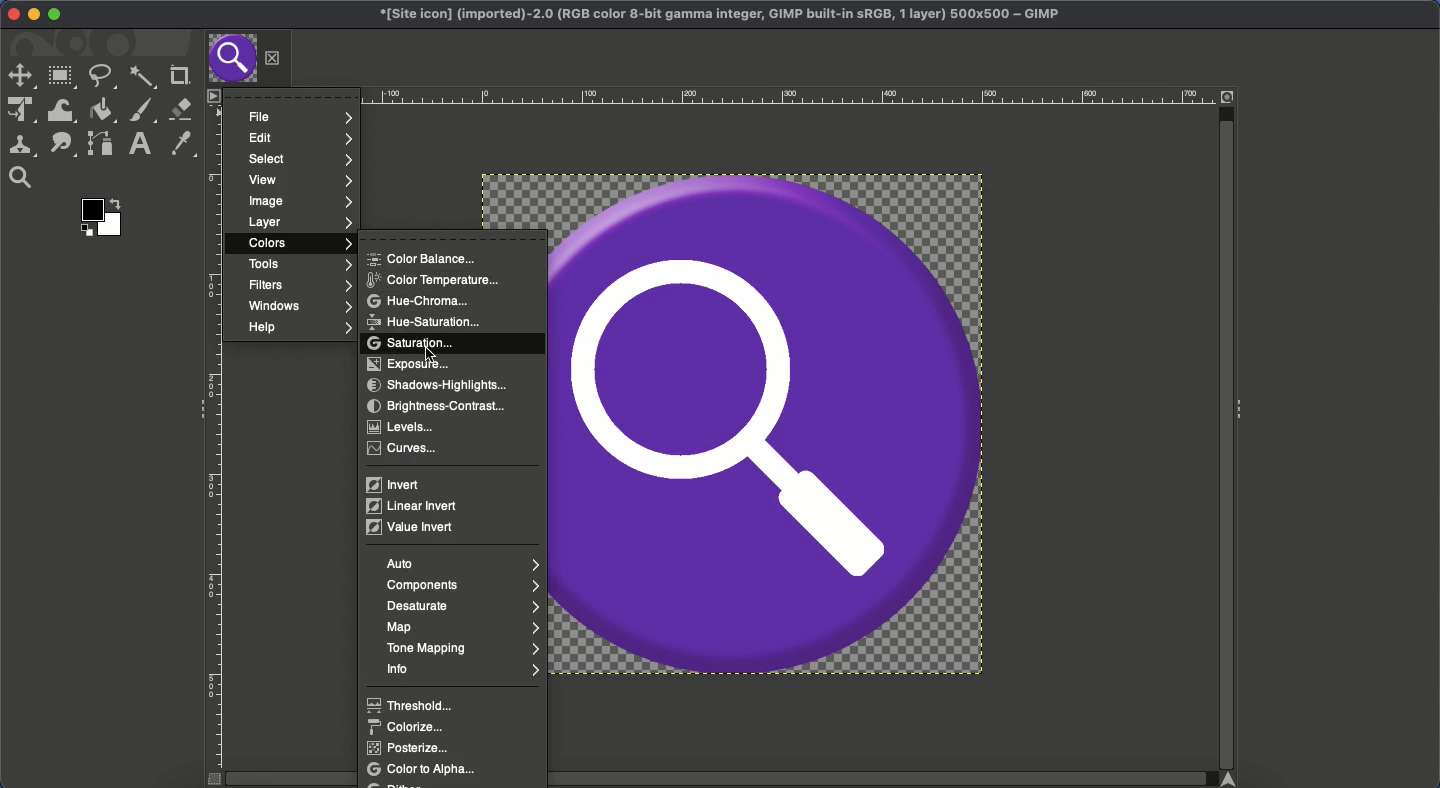 Image resolution: width=1440 pixels, height=788 pixels. What do you see at coordinates (424, 260) in the screenshot?
I see `Color balance` at bounding box center [424, 260].